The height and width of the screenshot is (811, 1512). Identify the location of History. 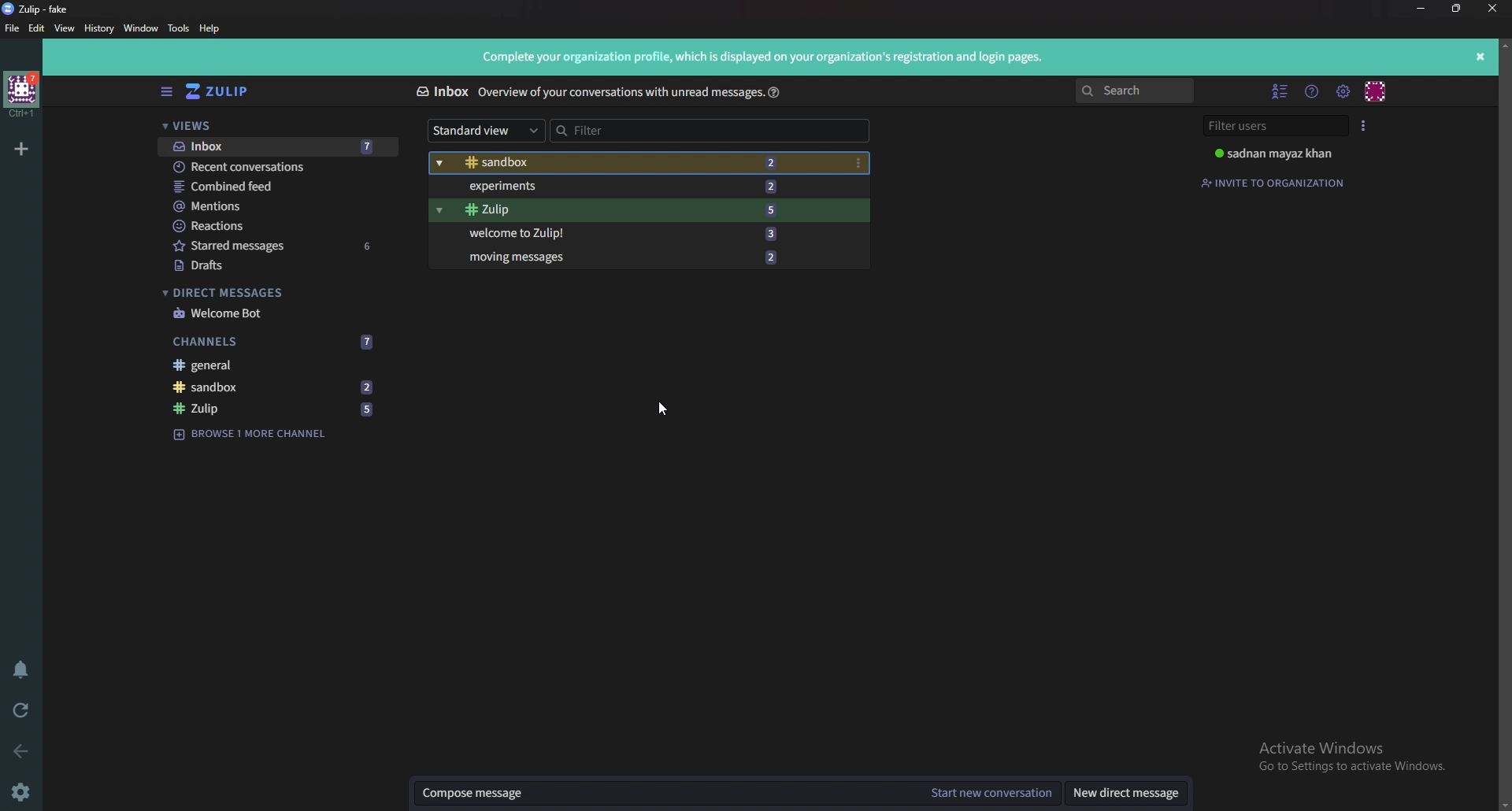
(98, 29).